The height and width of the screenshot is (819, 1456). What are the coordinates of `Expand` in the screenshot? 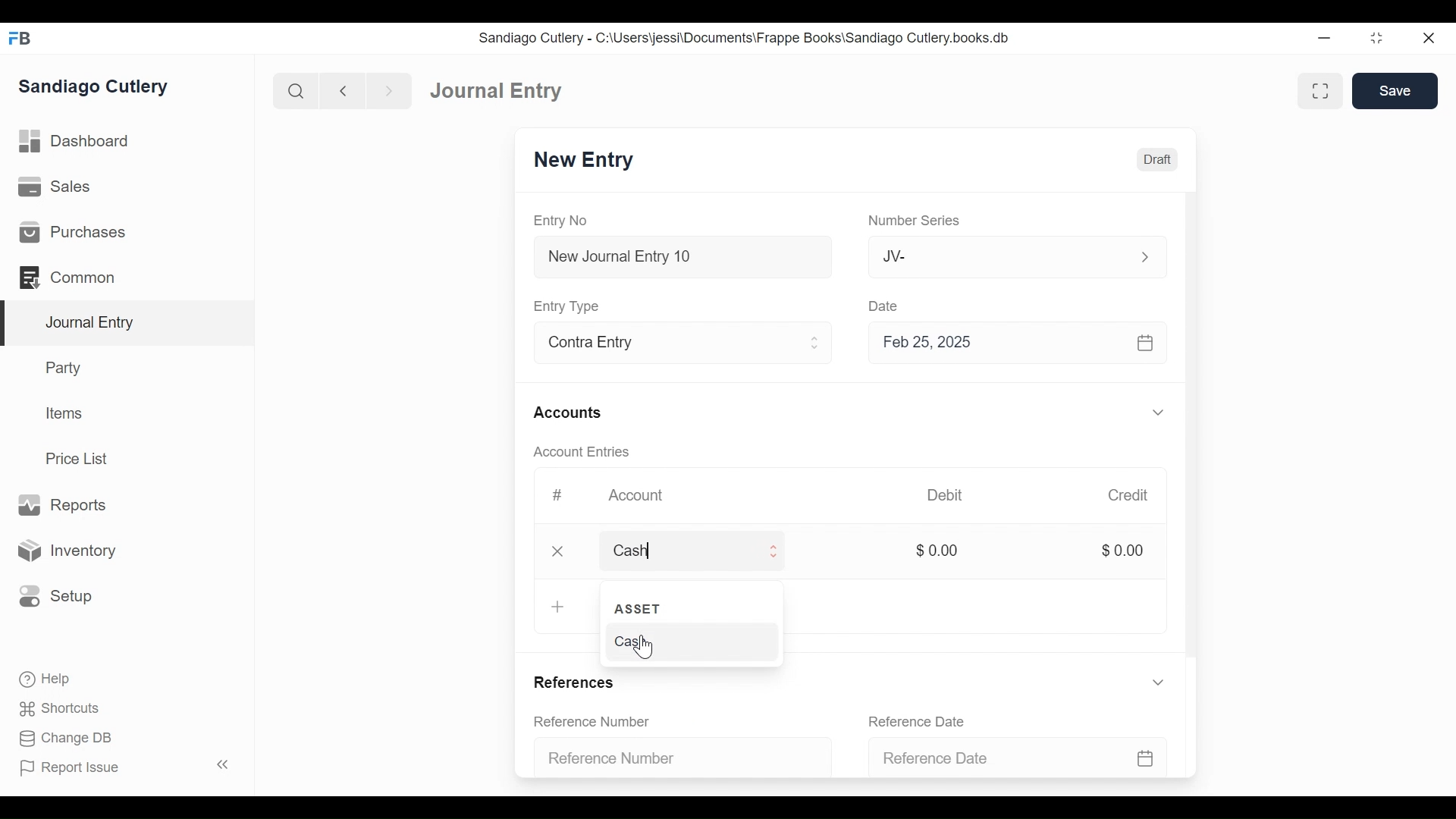 It's located at (1160, 685).